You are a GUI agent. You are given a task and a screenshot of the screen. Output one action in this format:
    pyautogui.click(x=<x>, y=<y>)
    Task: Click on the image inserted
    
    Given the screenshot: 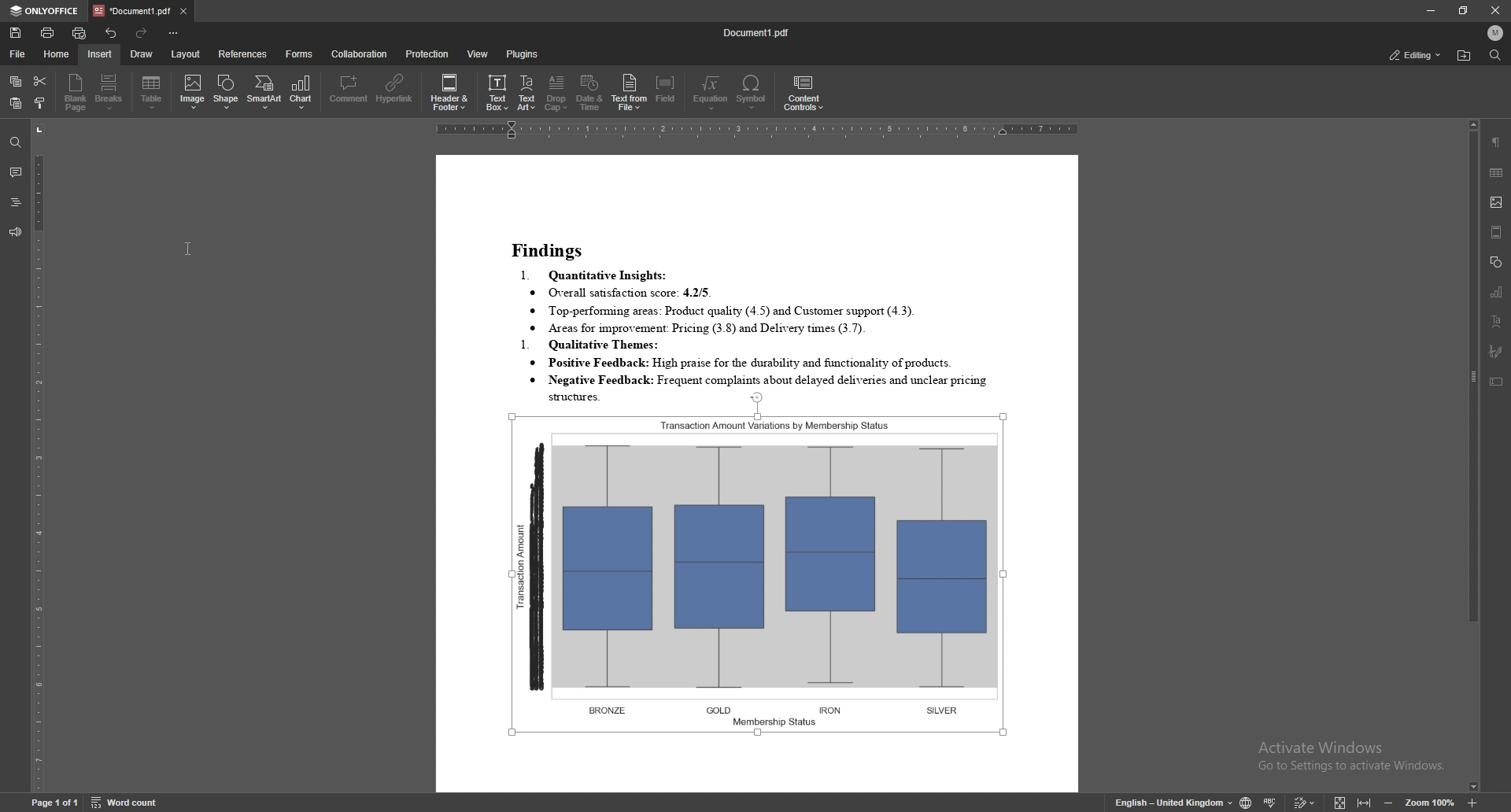 What is the action you would take?
    pyautogui.click(x=765, y=575)
    